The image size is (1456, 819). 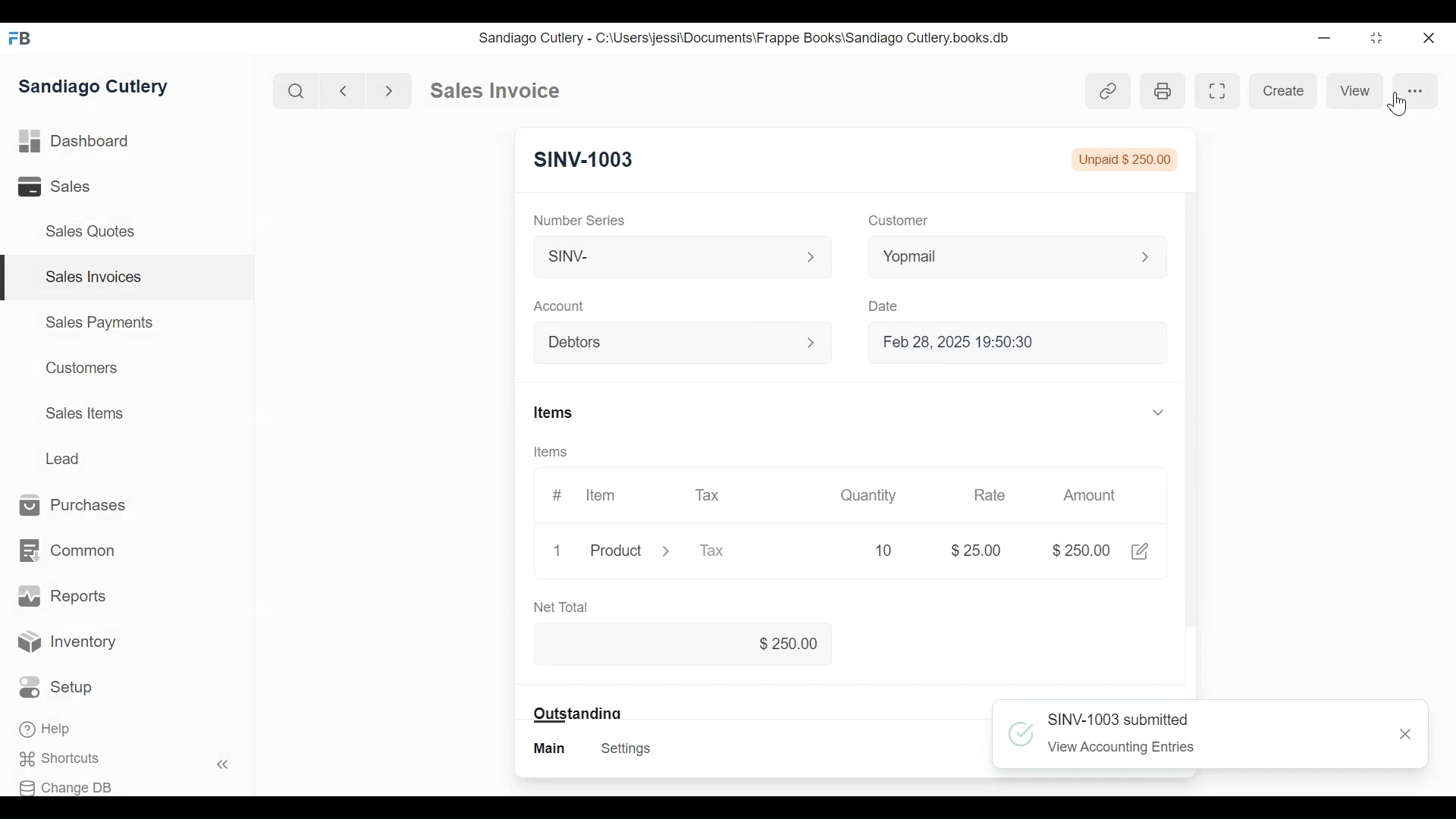 I want to click on Sales, so click(x=57, y=186).